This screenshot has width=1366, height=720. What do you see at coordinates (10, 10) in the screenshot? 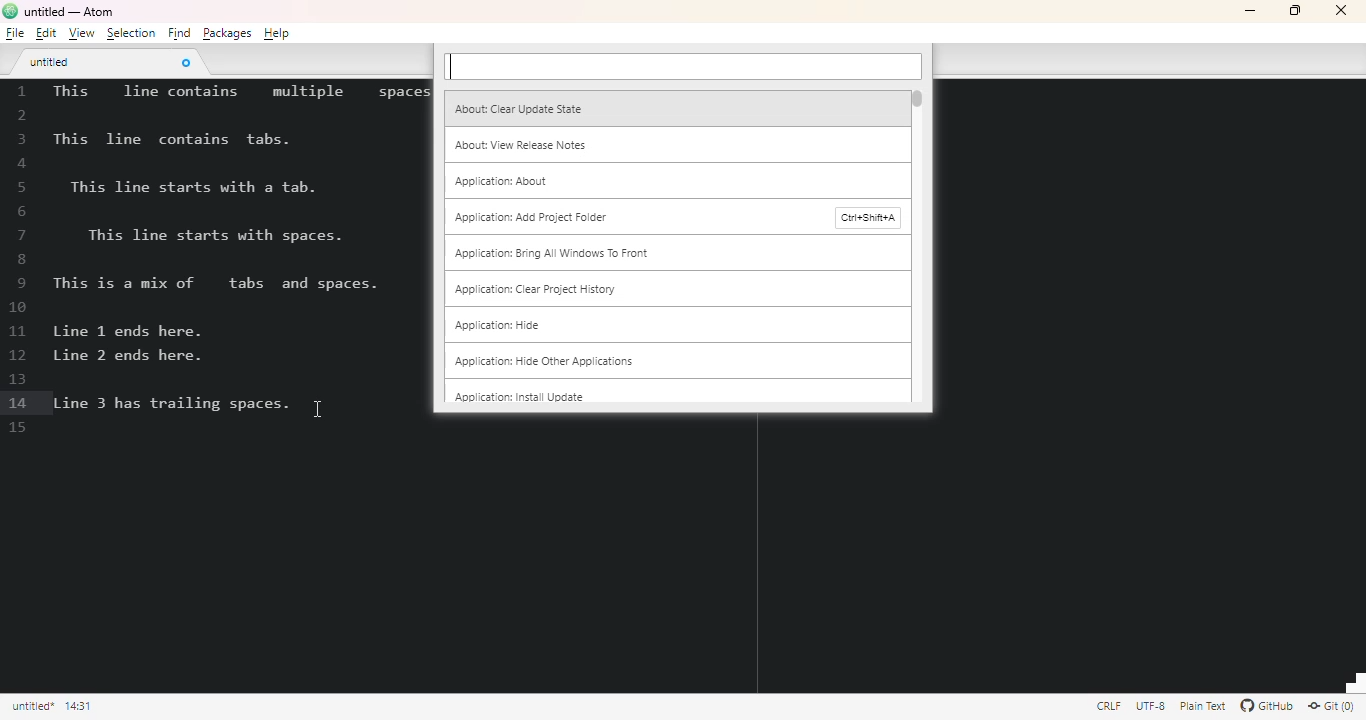
I see `logo` at bounding box center [10, 10].